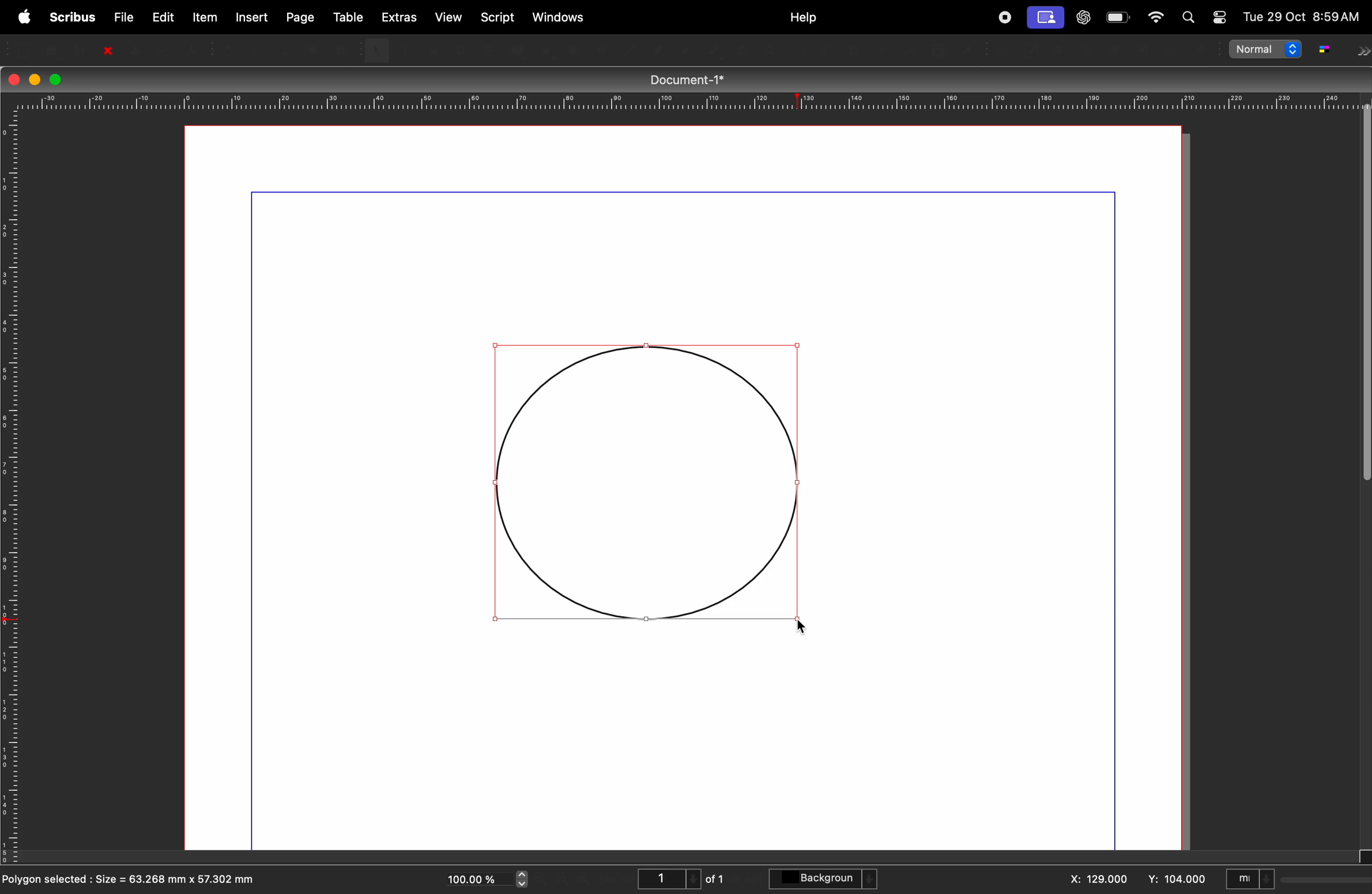  What do you see at coordinates (258, 48) in the screenshot?
I see `Redo` at bounding box center [258, 48].